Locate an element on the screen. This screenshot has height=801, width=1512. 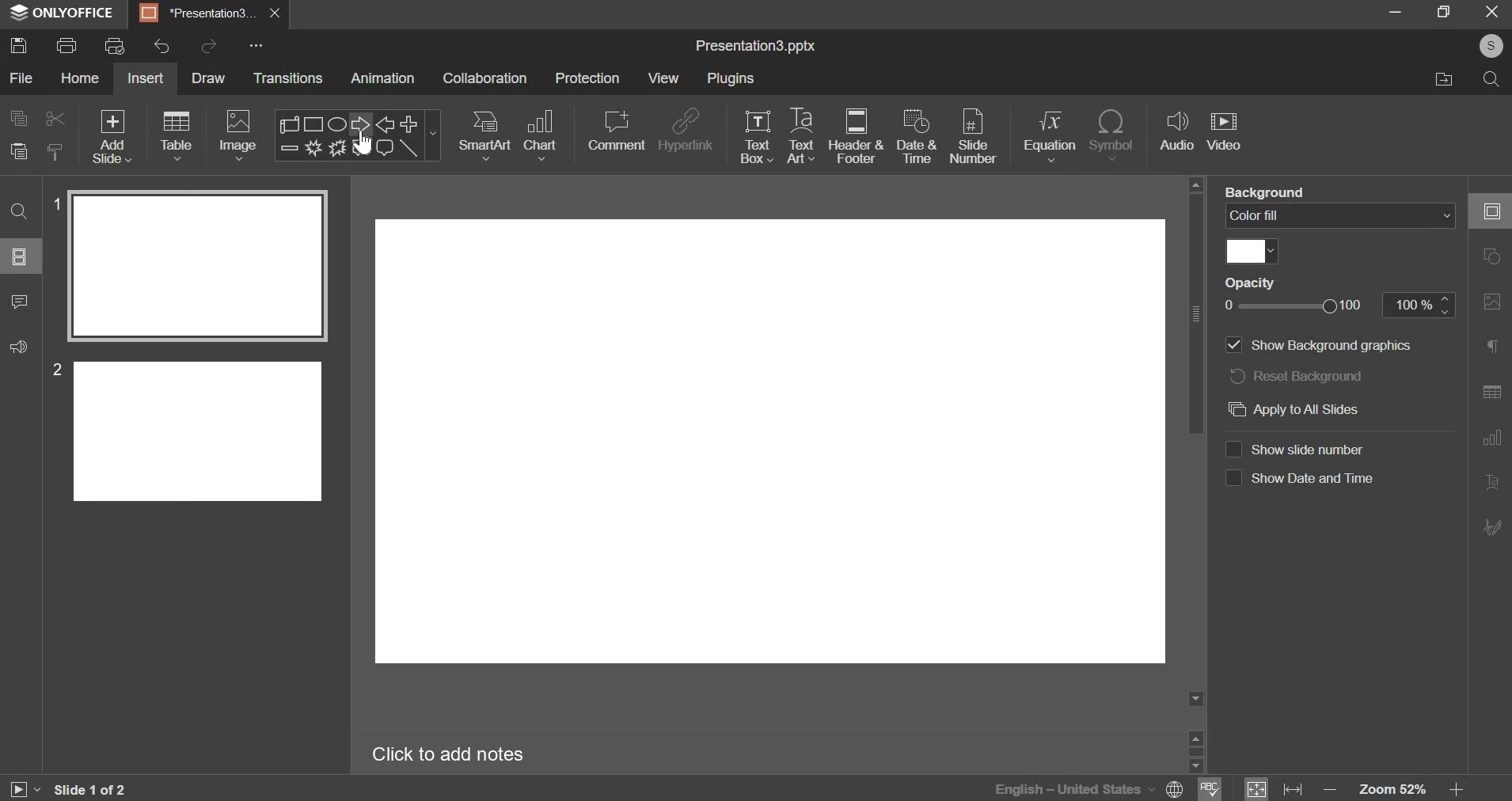
decrease zoom is located at coordinates (1331, 790).